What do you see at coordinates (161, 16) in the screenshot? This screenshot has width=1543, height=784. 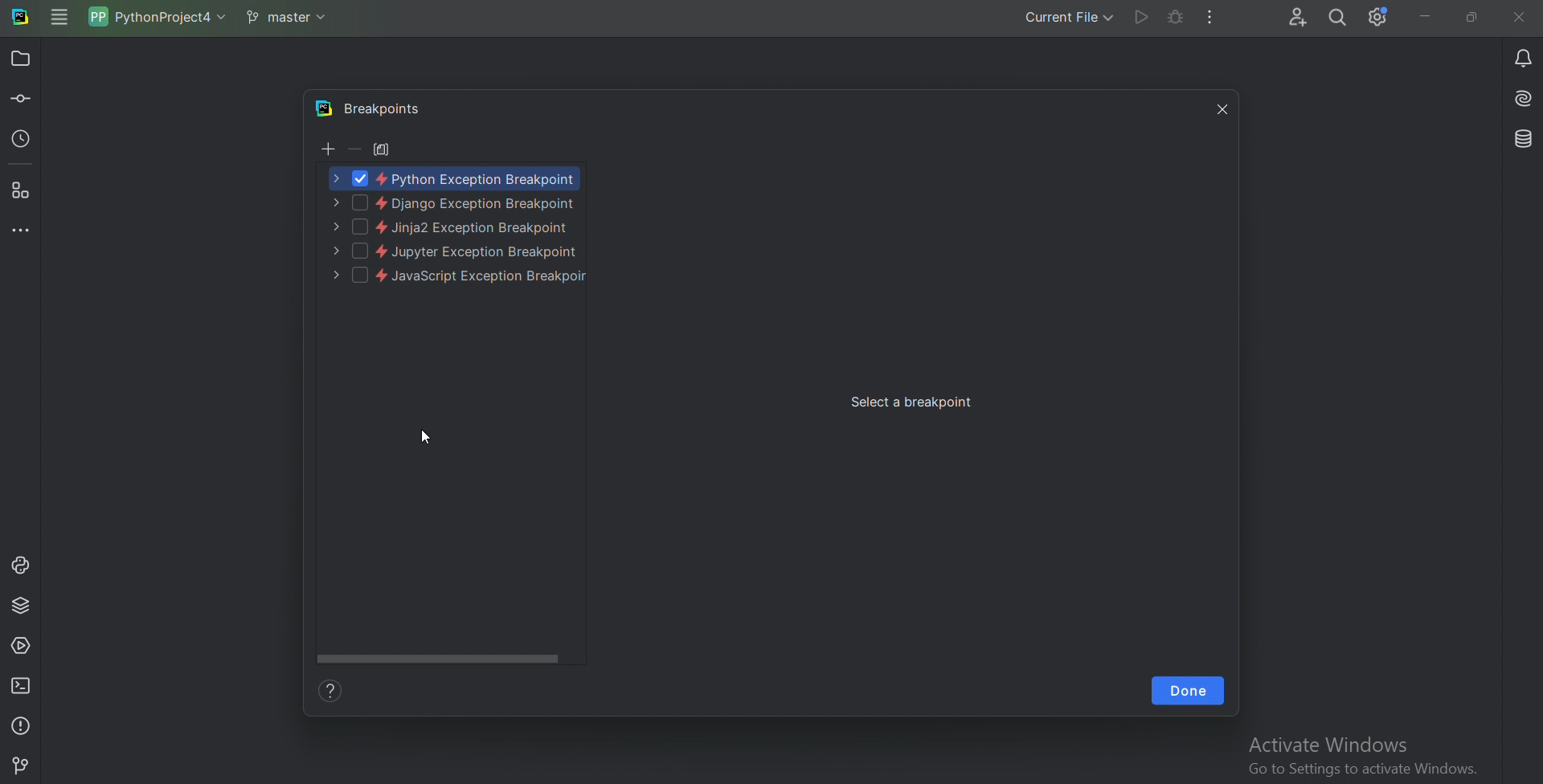 I see `project name` at bounding box center [161, 16].